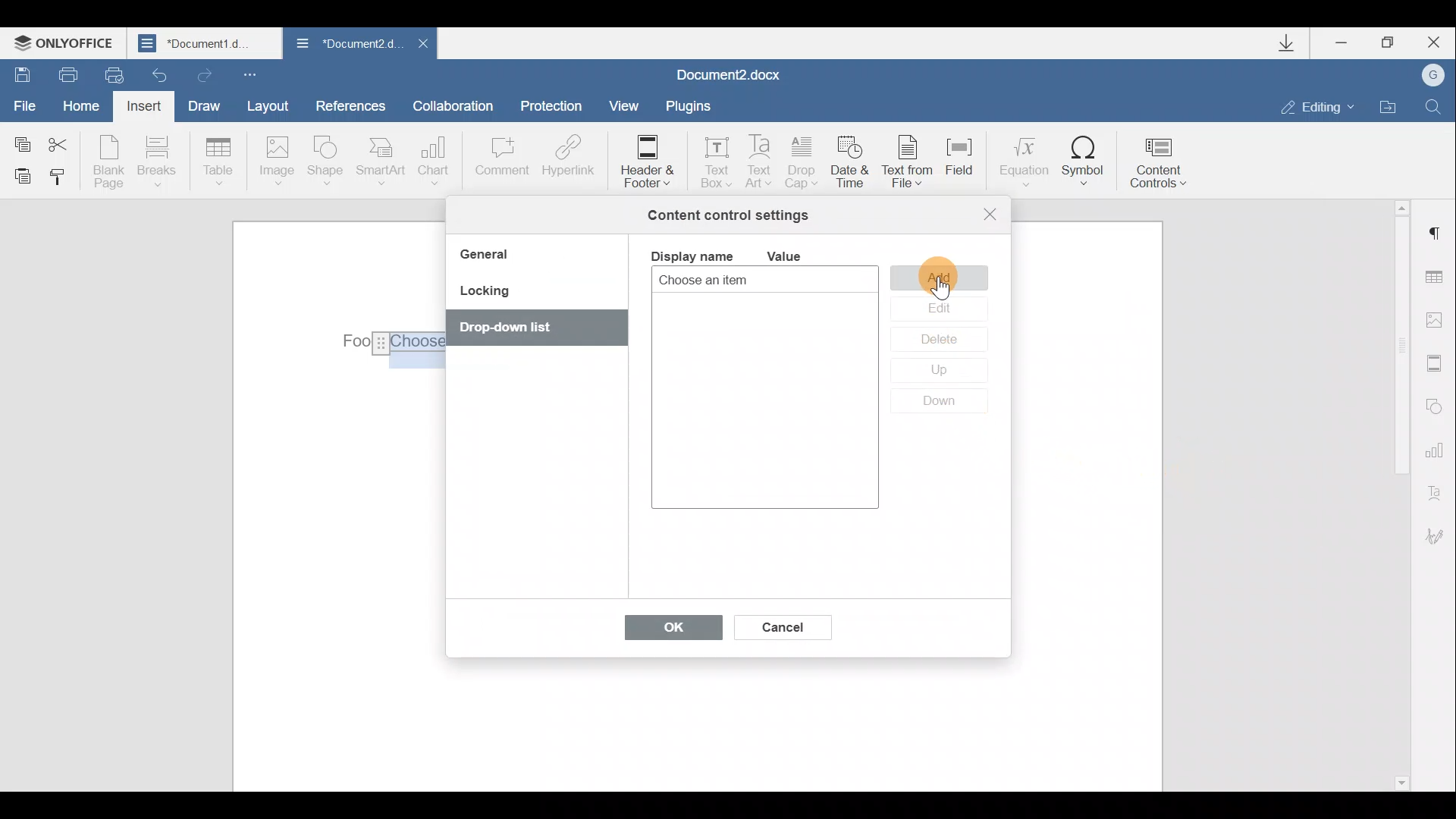 The image size is (1456, 819). I want to click on , so click(943, 290).